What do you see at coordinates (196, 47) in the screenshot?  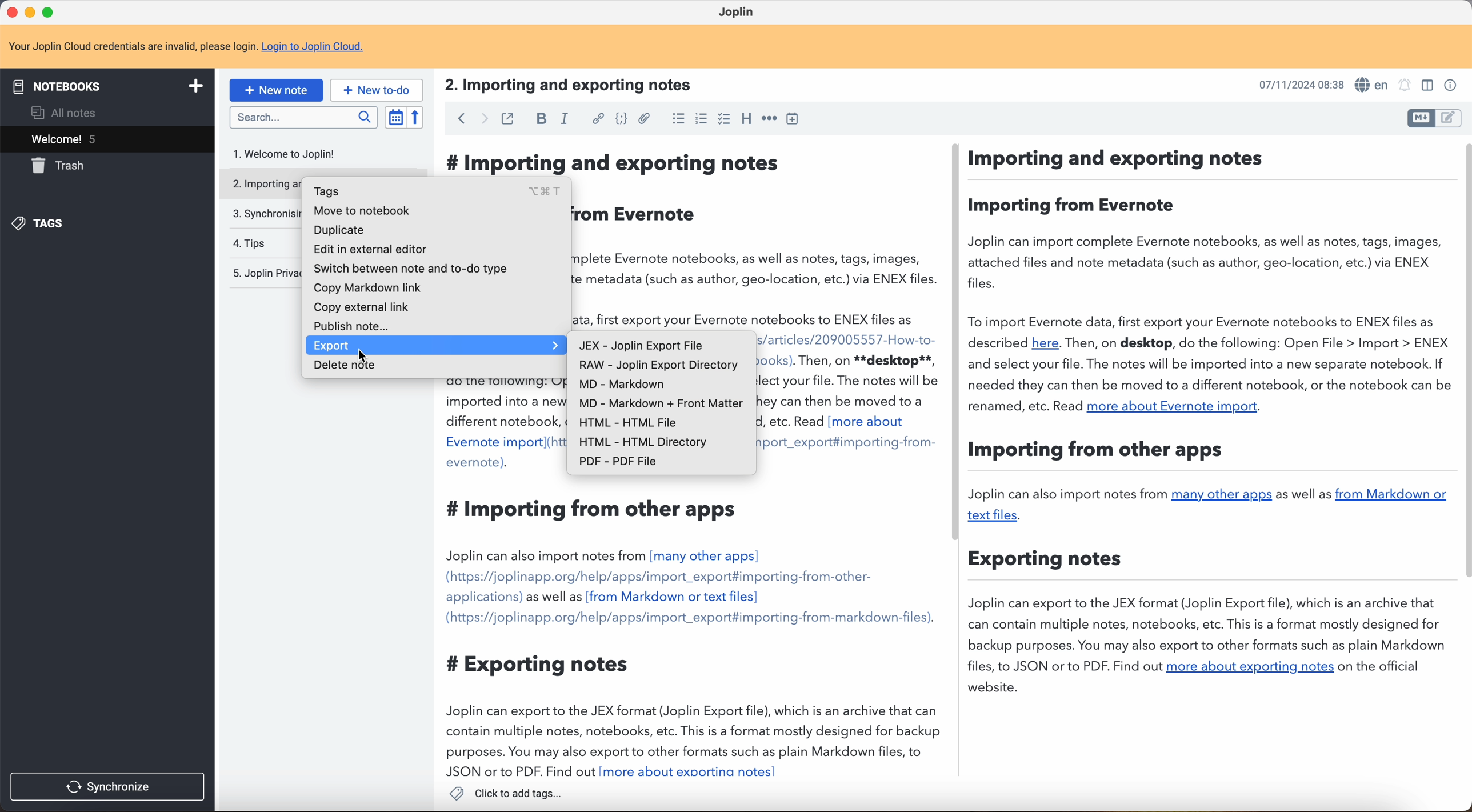 I see `note` at bounding box center [196, 47].